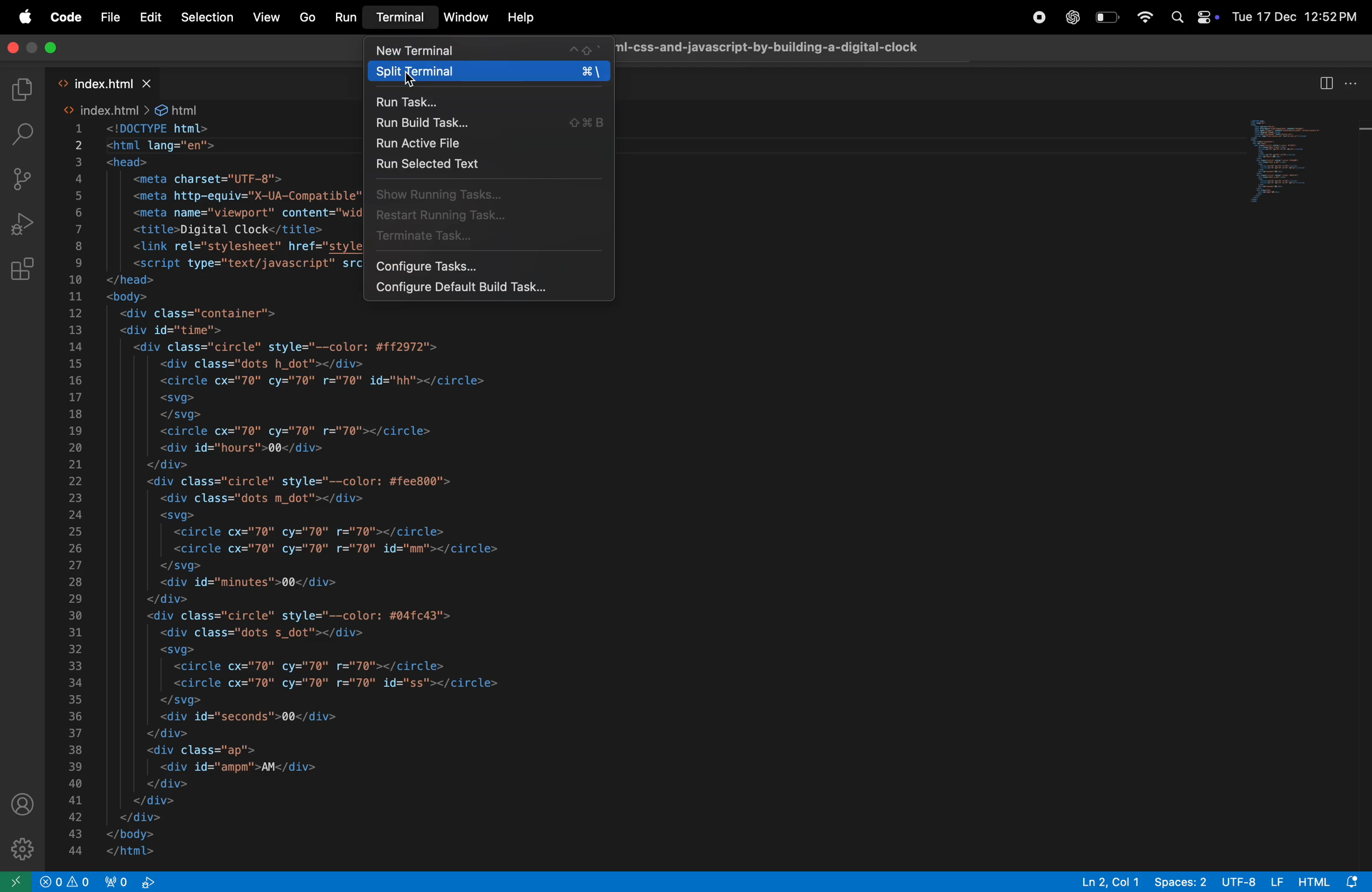 The height and width of the screenshot is (892, 1372). What do you see at coordinates (306, 17) in the screenshot?
I see `Go` at bounding box center [306, 17].